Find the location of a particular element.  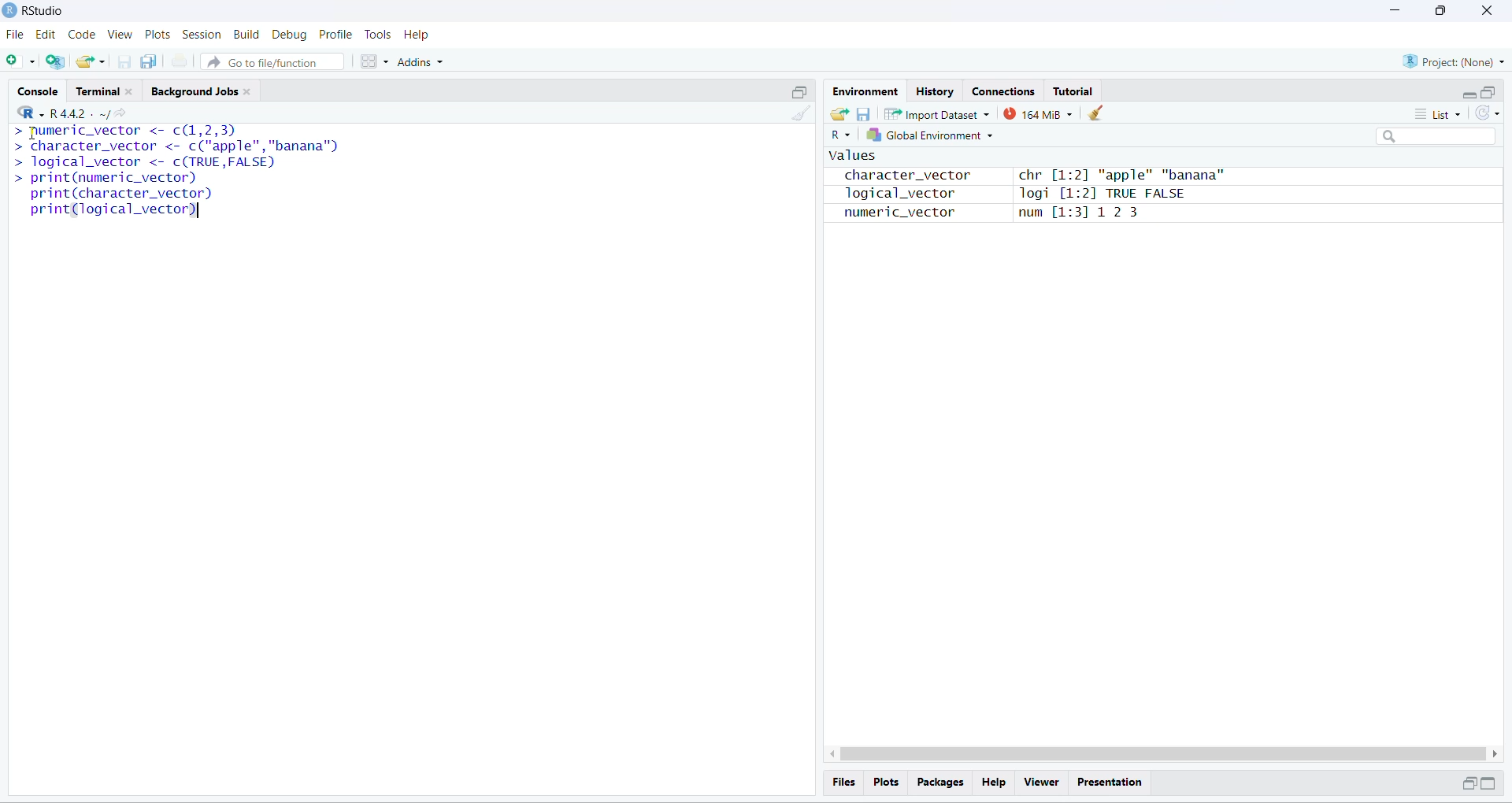

print is located at coordinates (180, 61).